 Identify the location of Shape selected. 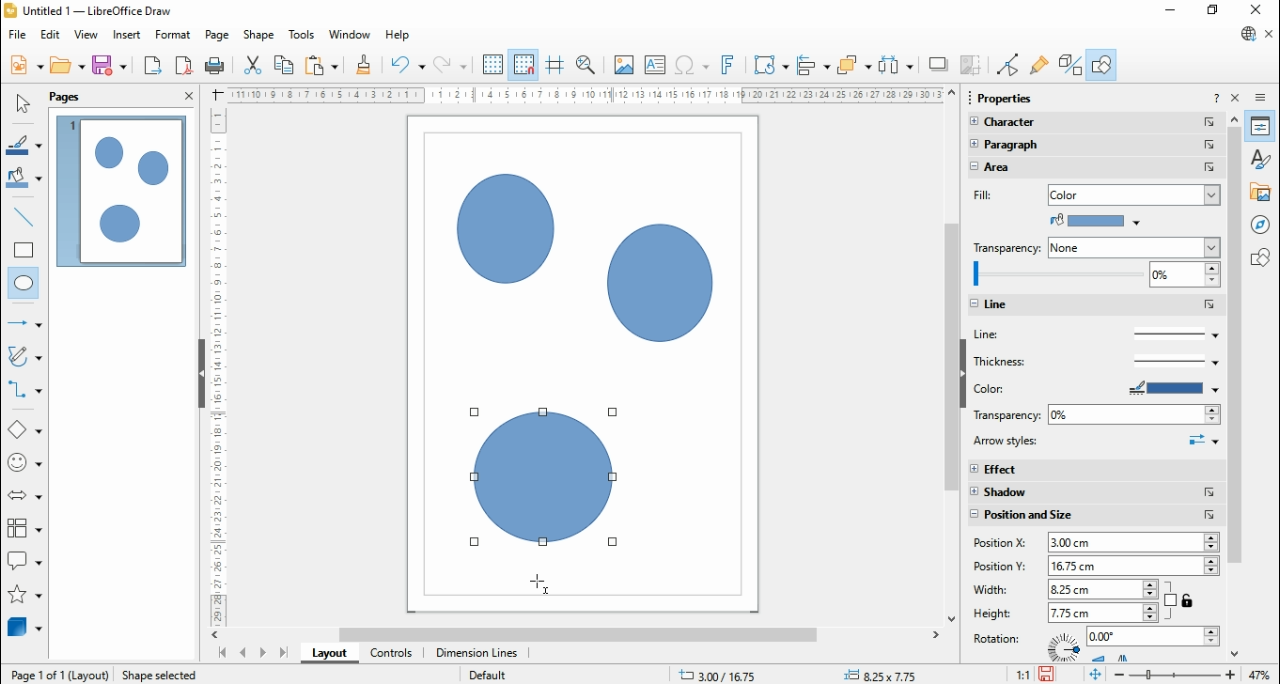
(163, 672).